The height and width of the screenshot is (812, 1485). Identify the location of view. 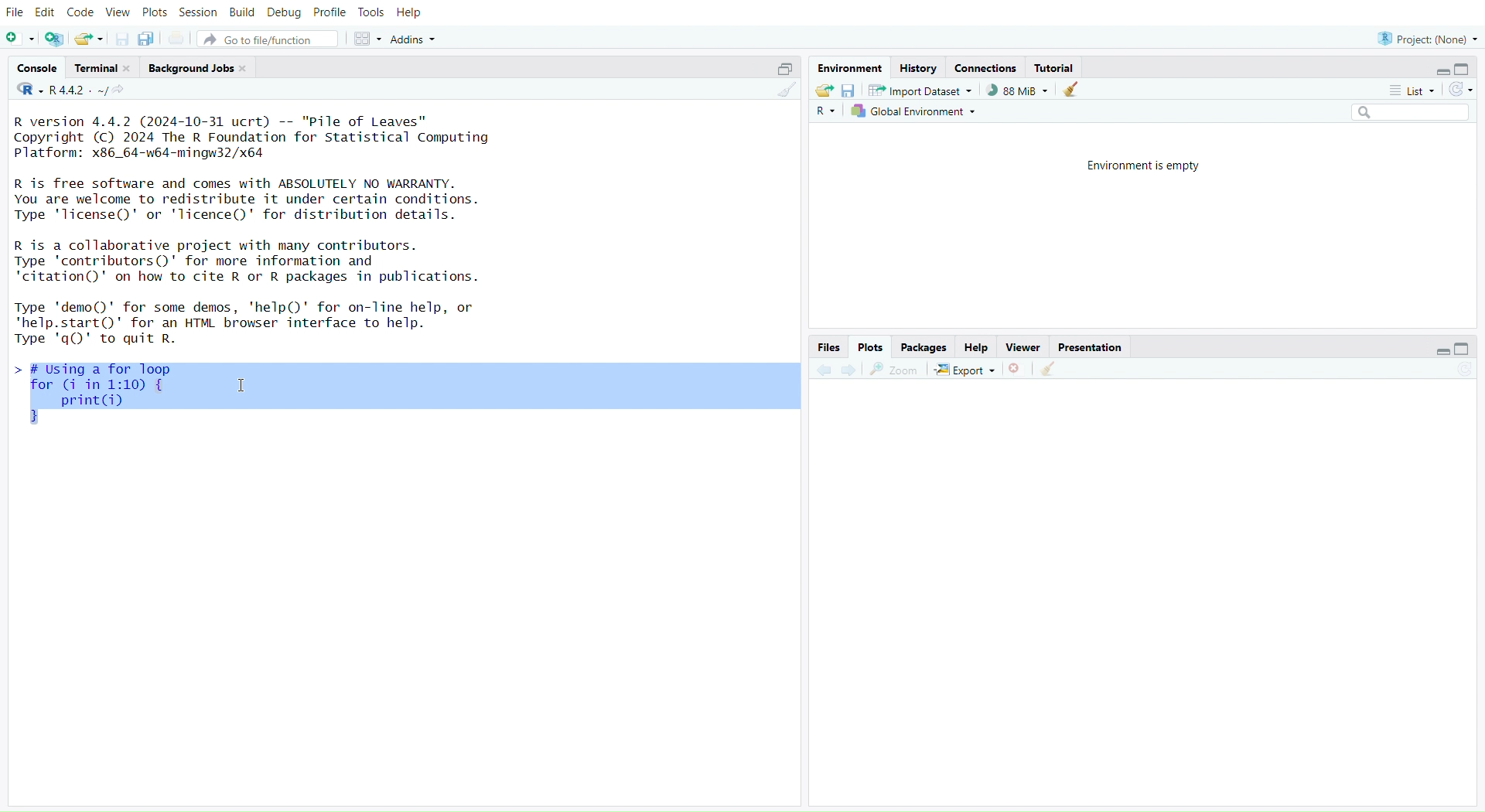
(118, 12).